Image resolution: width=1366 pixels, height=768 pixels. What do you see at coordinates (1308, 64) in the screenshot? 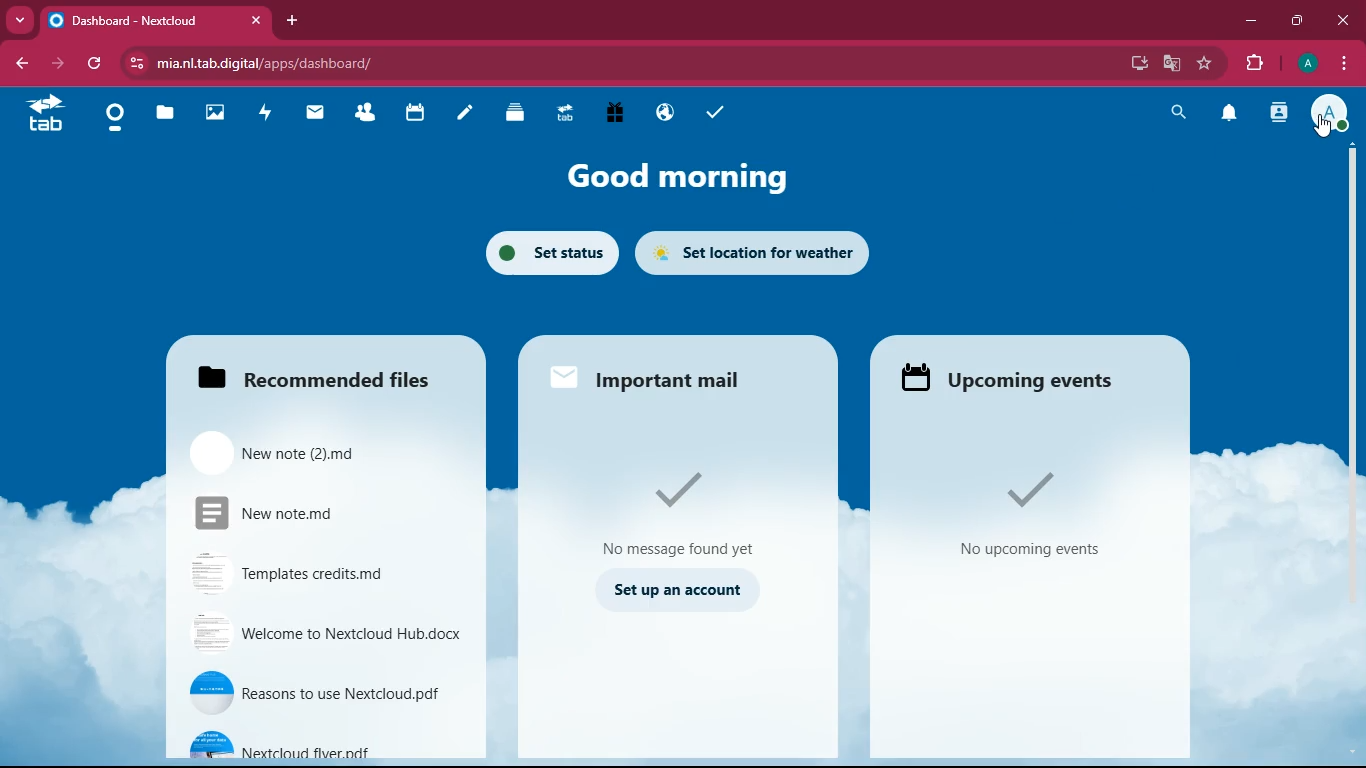
I see `profile` at bounding box center [1308, 64].